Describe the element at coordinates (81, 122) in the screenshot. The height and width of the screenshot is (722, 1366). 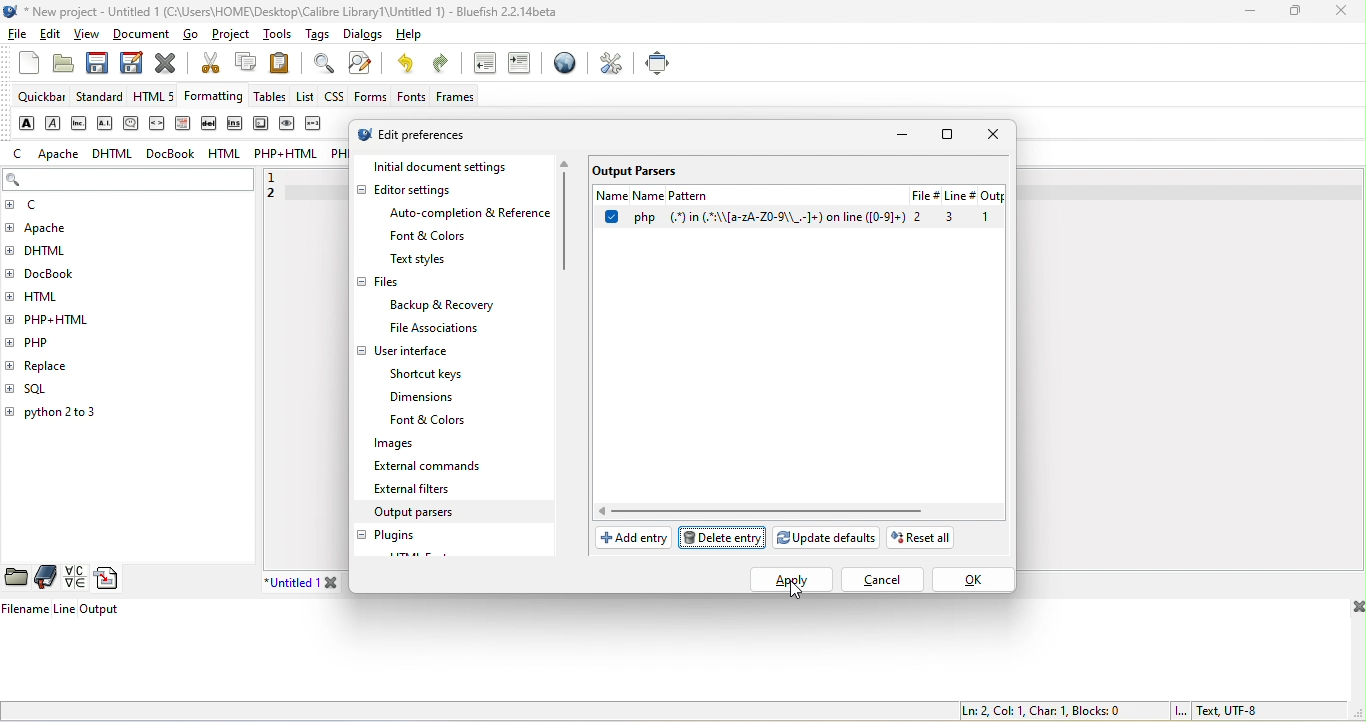
I see `abbreviation` at that location.